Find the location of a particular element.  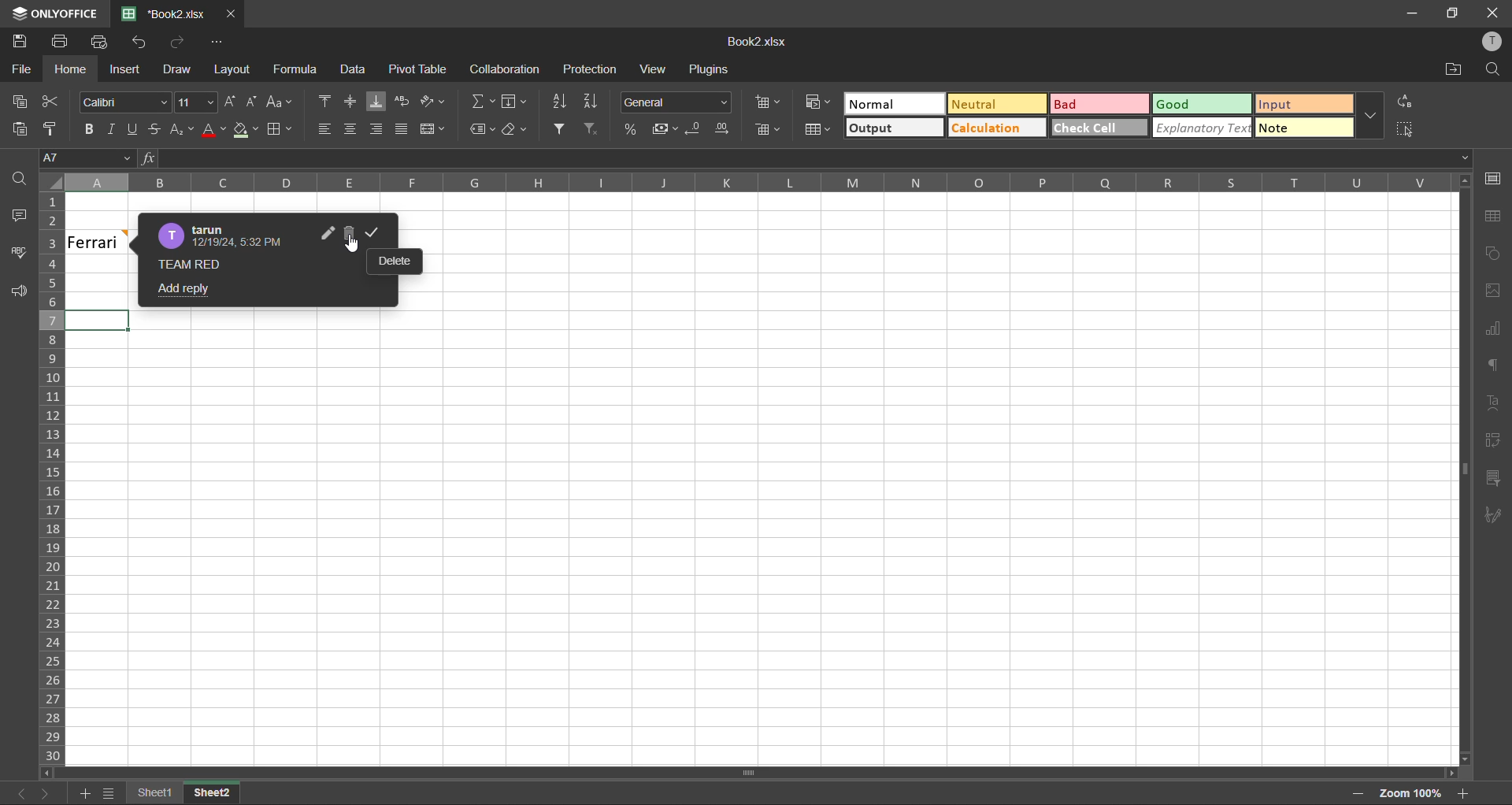

protection is located at coordinates (592, 71).